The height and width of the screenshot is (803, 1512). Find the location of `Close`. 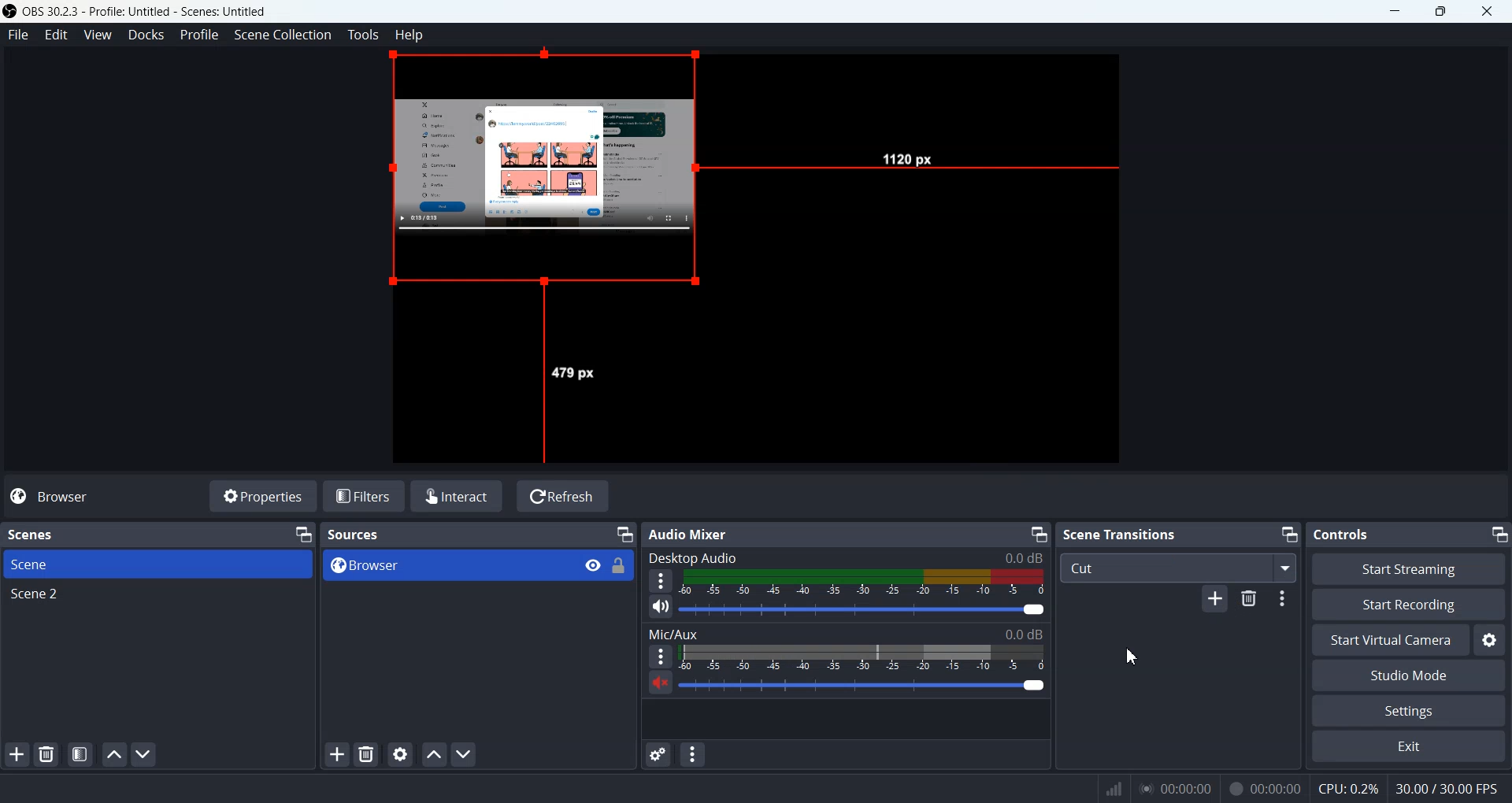

Close is located at coordinates (1485, 11).